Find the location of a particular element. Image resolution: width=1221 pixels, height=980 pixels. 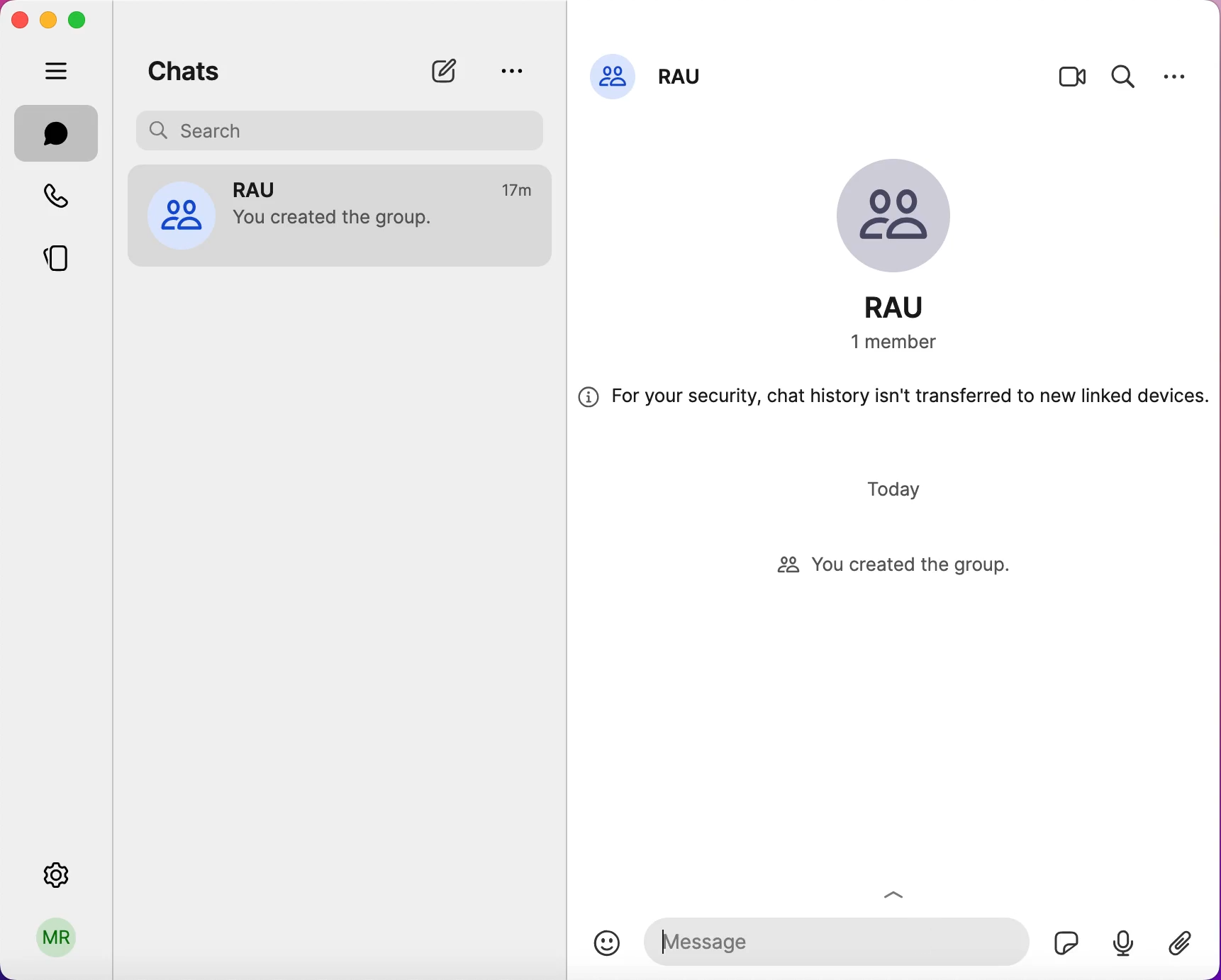

today is located at coordinates (898, 489).